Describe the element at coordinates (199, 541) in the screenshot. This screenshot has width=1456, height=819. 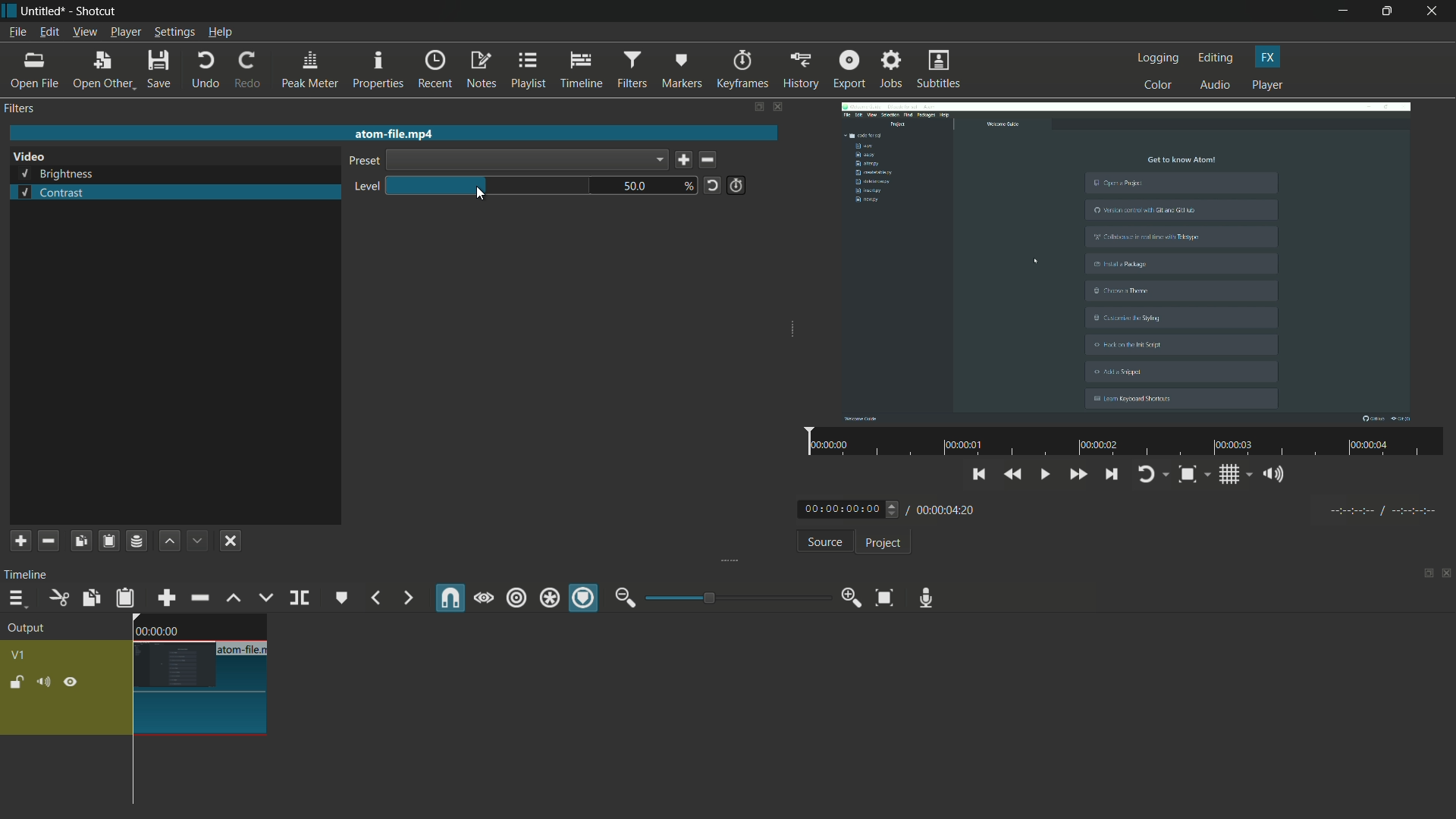
I see `move filter down` at that location.